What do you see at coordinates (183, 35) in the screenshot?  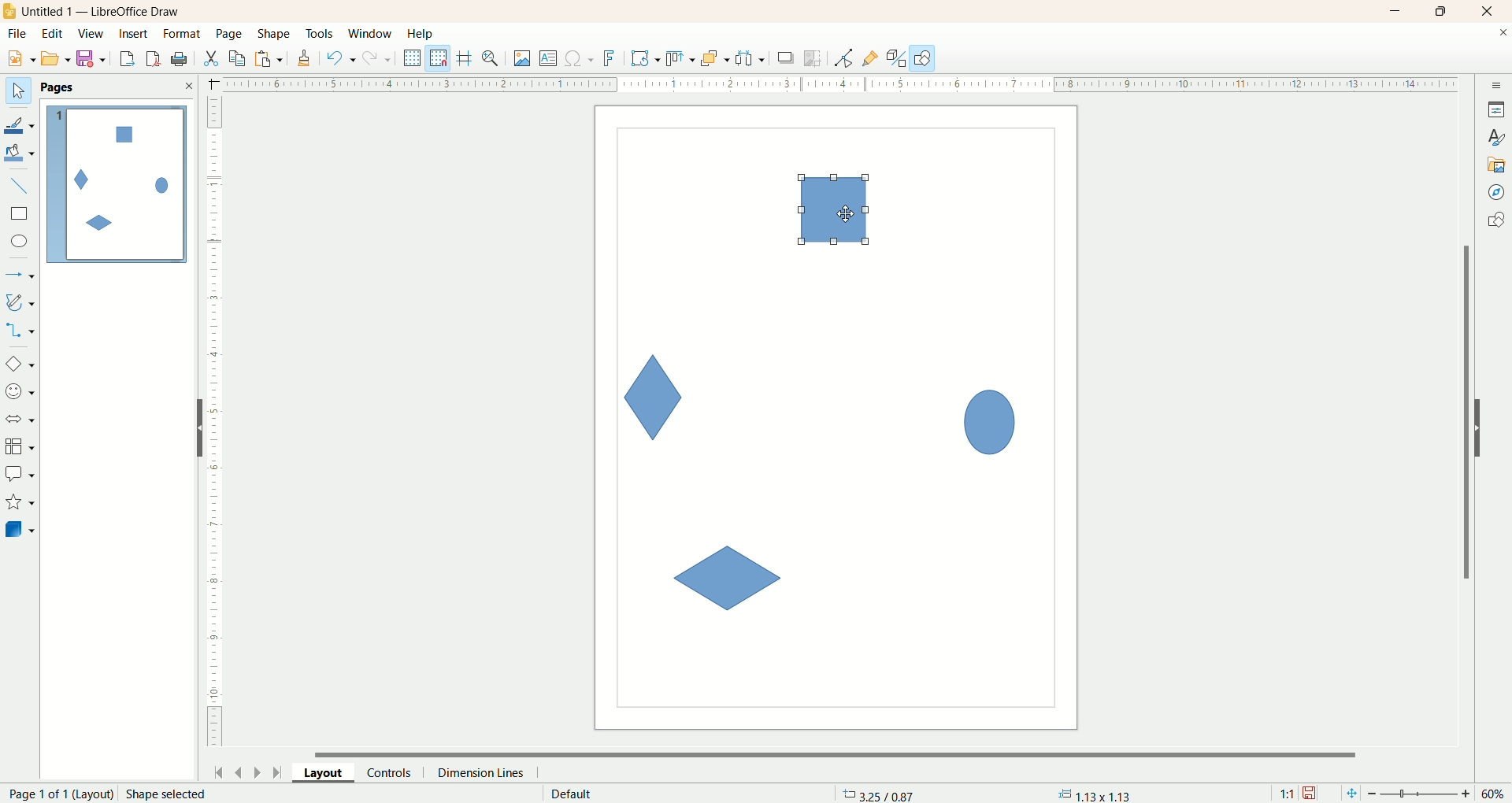 I see `format` at bounding box center [183, 35].